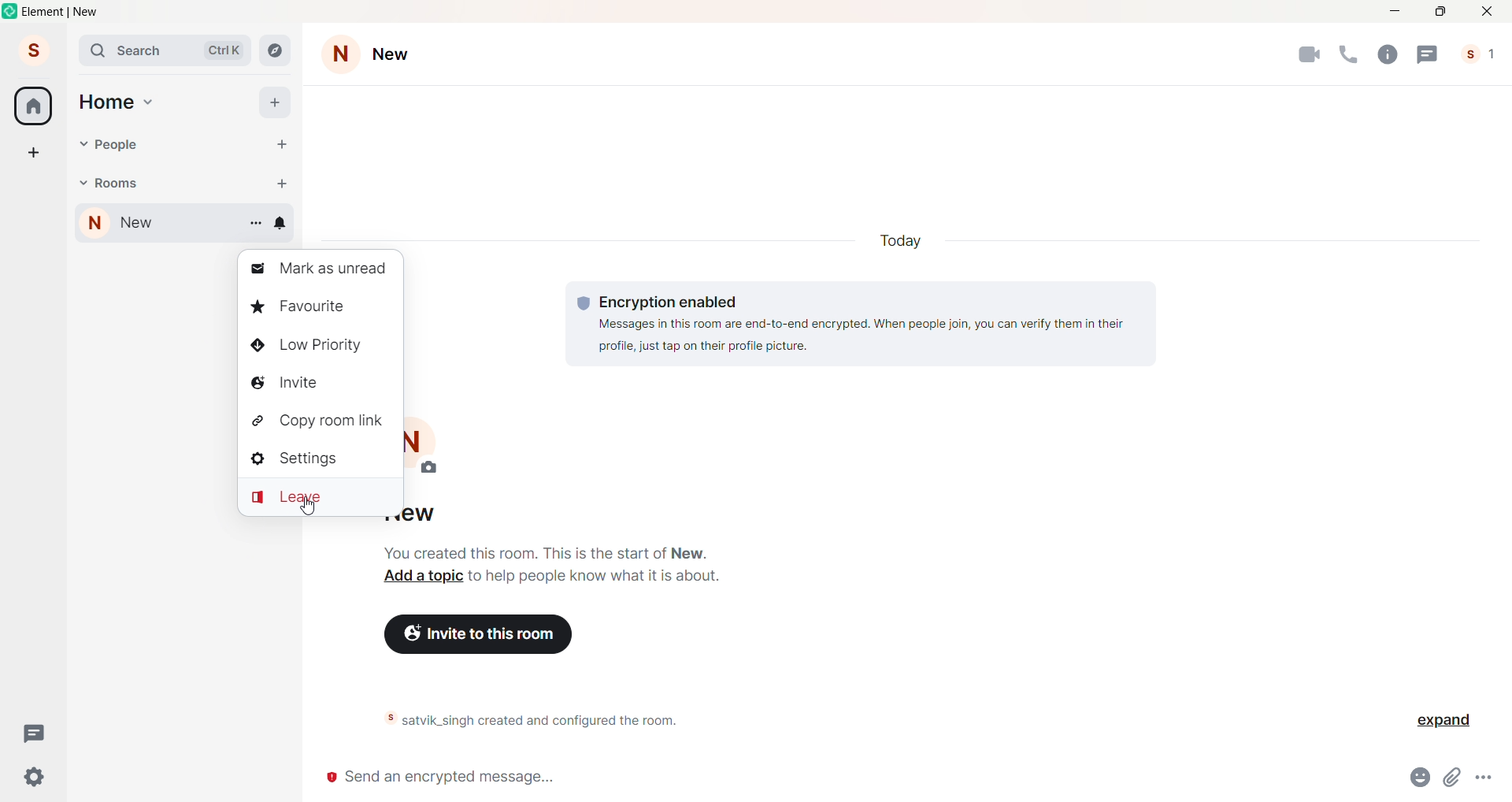 The width and height of the screenshot is (1512, 802). I want to click on Expand, so click(1436, 722).